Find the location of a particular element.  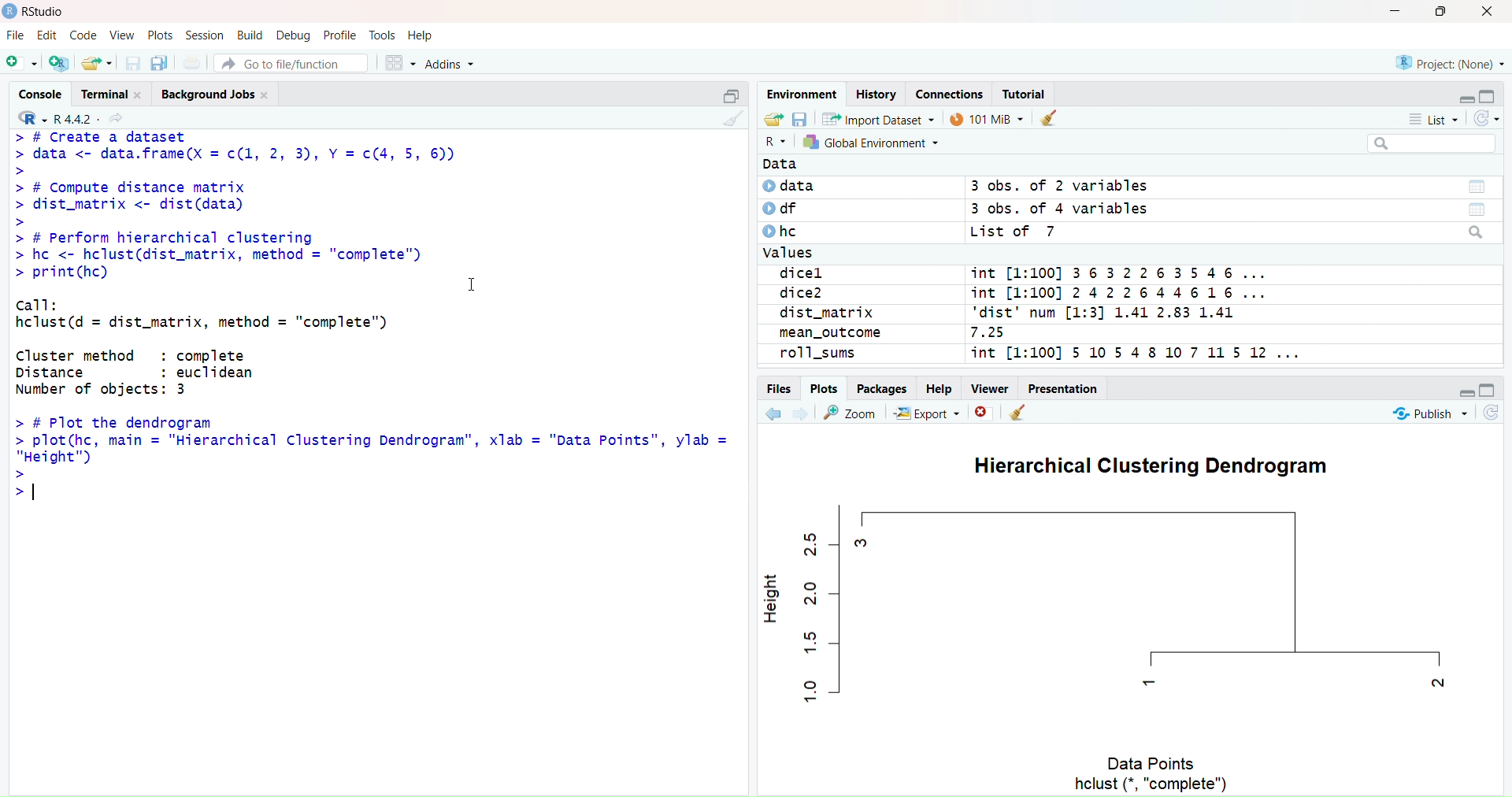

Viewer is located at coordinates (991, 387).